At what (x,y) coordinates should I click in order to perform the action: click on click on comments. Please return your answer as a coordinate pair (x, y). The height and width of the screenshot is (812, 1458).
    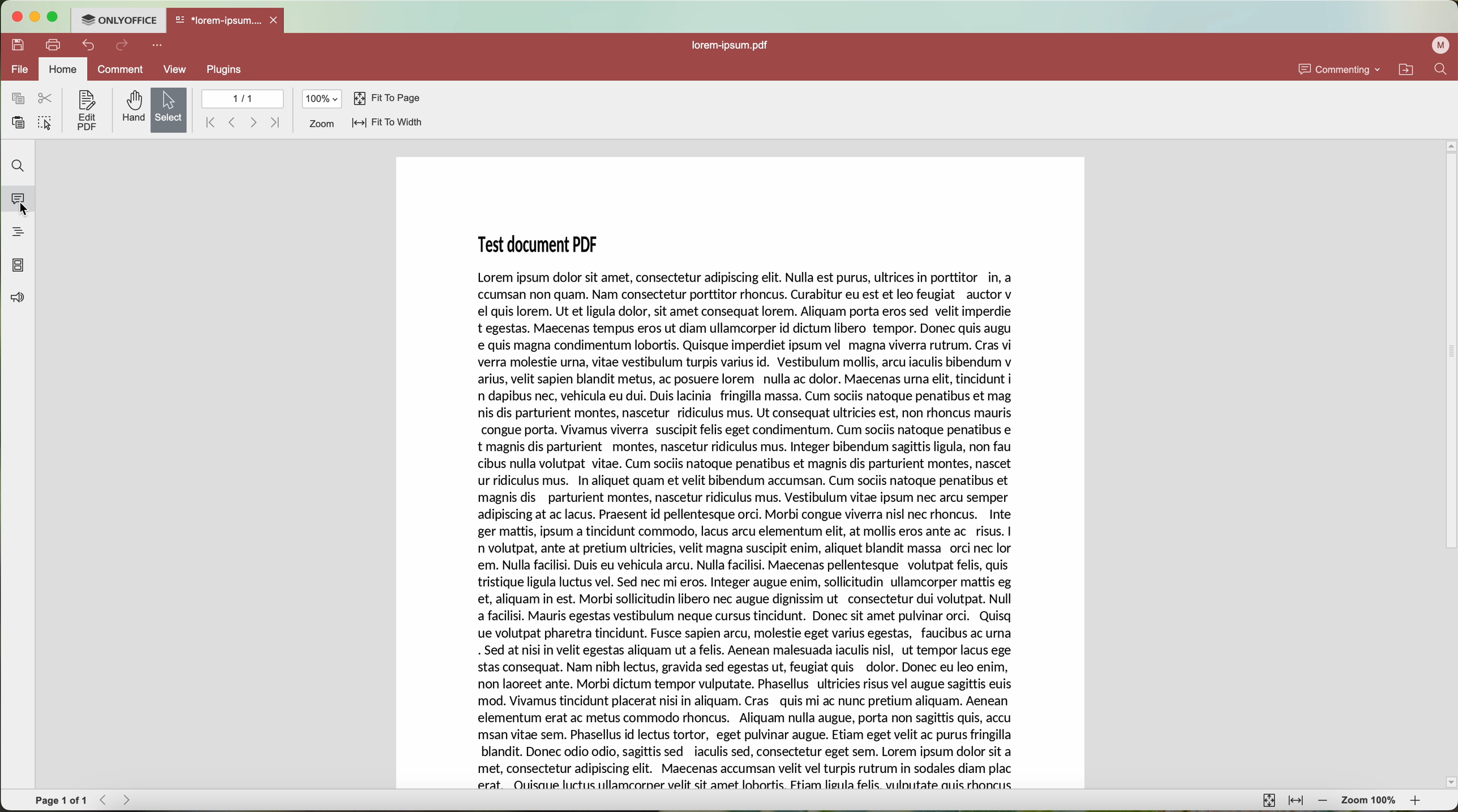
    Looking at the image, I should click on (22, 201).